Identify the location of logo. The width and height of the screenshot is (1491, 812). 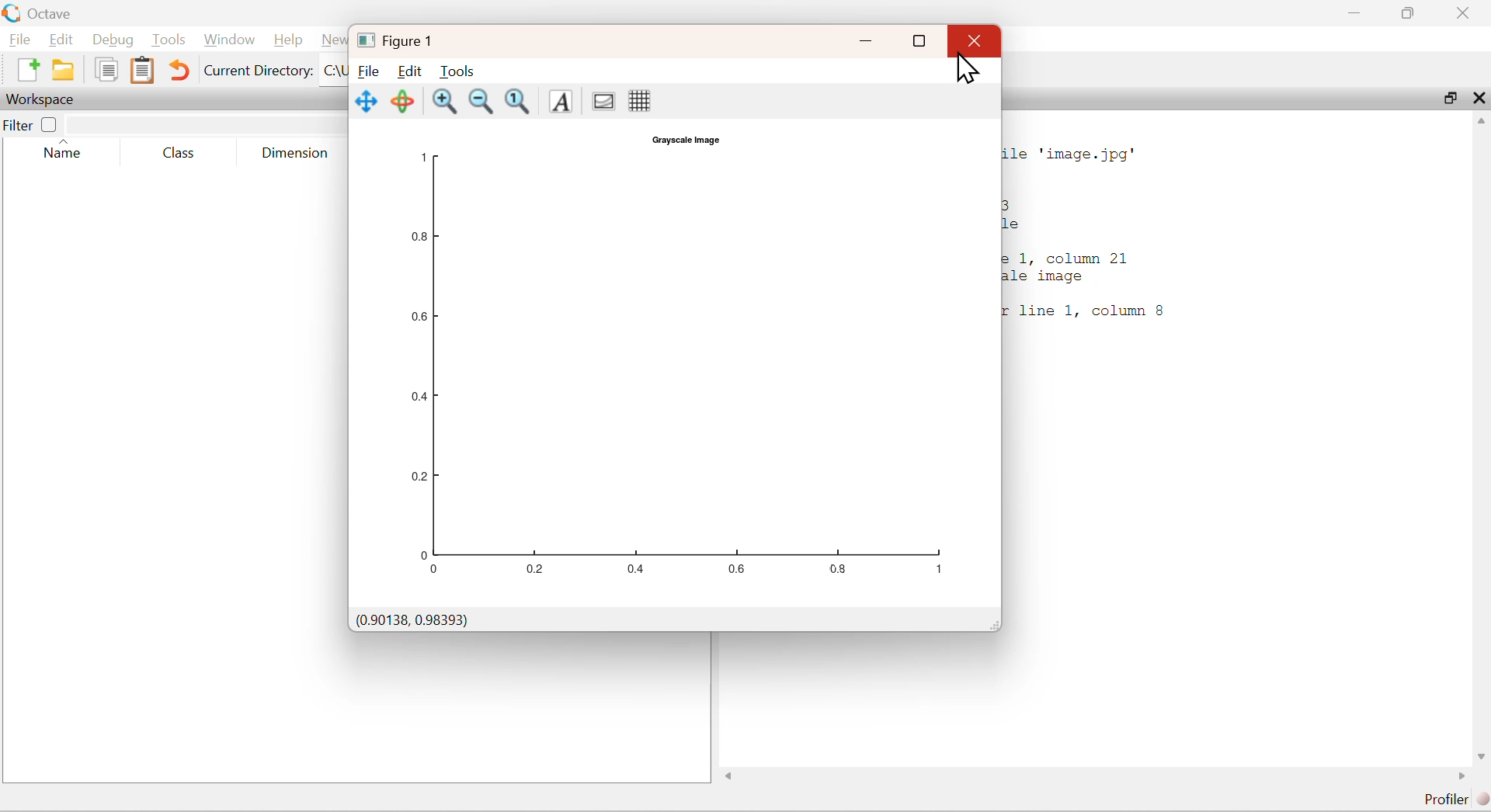
(363, 40).